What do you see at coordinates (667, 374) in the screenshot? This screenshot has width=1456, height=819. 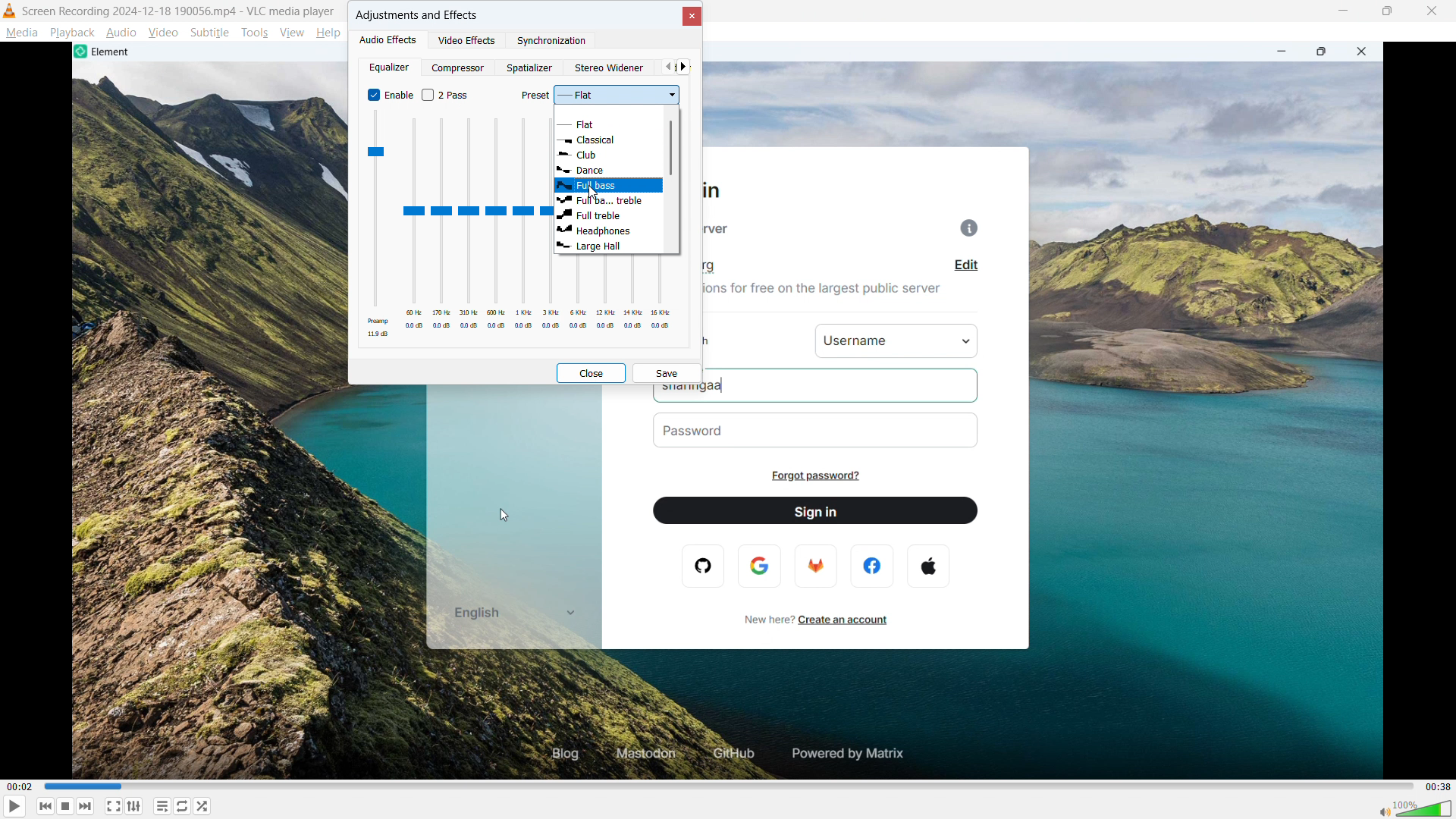 I see `save` at bounding box center [667, 374].